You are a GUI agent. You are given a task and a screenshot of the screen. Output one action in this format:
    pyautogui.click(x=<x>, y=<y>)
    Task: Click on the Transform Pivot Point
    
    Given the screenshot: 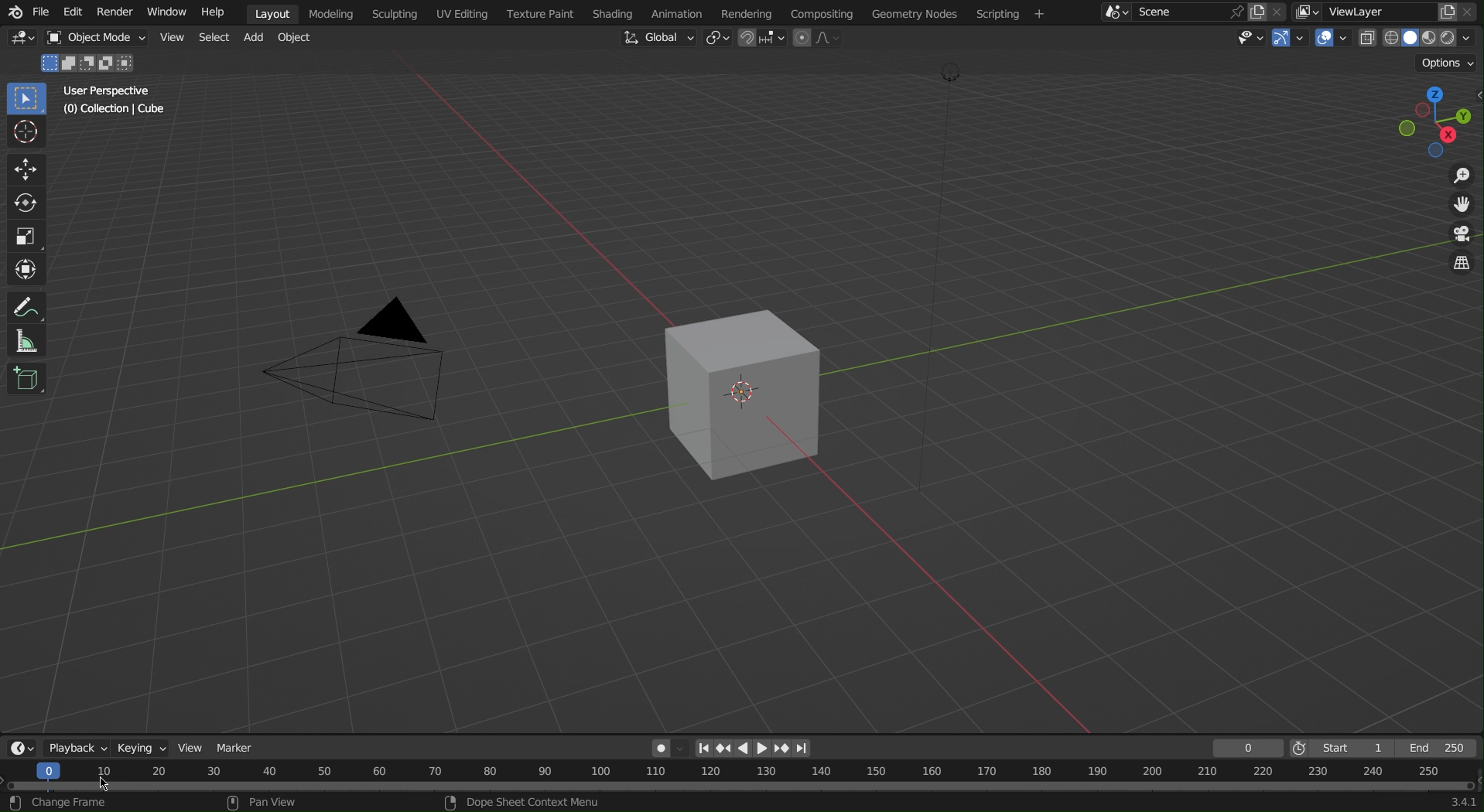 What is the action you would take?
    pyautogui.click(x=720, y=39)
    